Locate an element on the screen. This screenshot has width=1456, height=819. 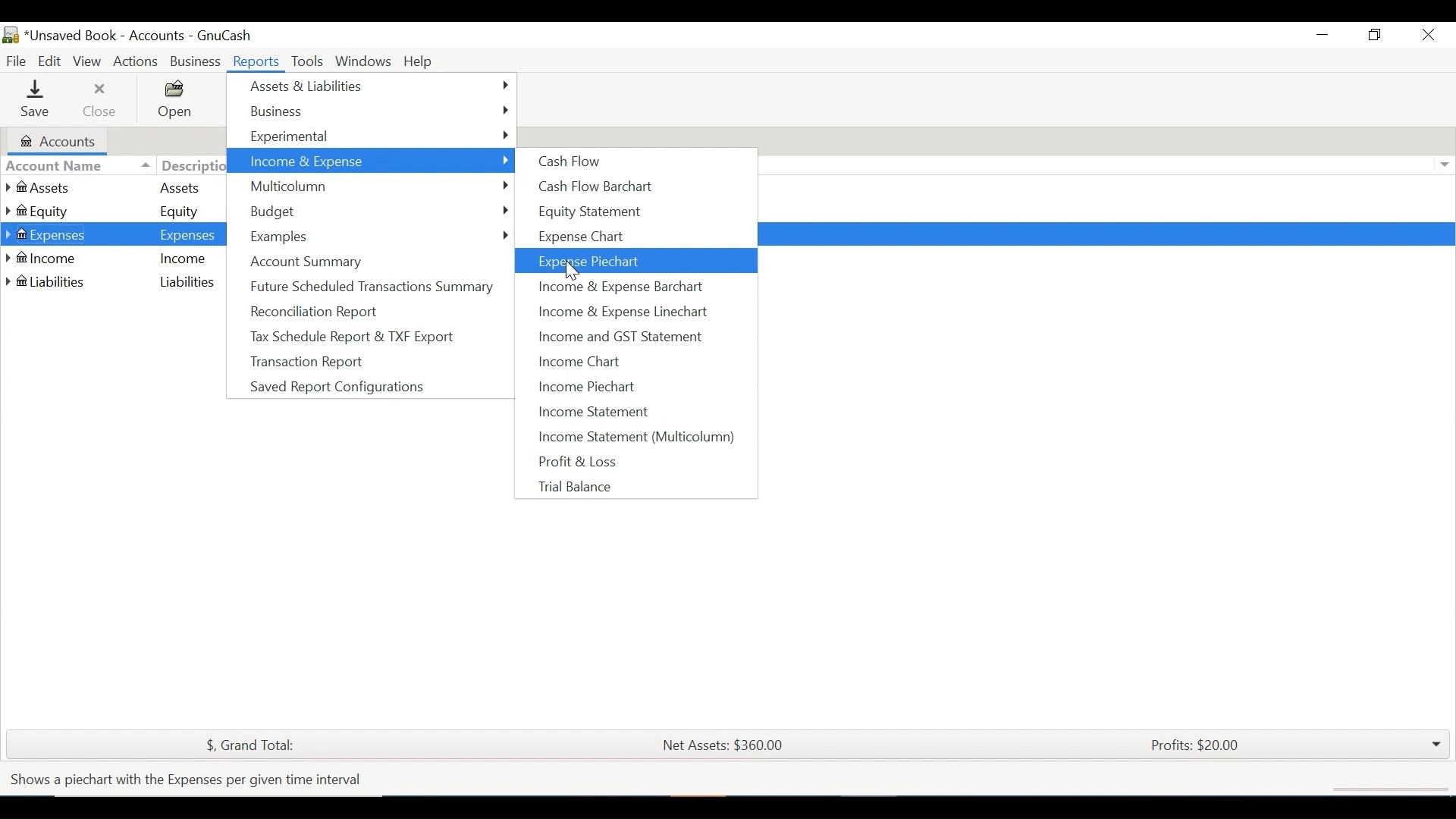
Profits: $20.00 is located at coordinates (1197, 744).